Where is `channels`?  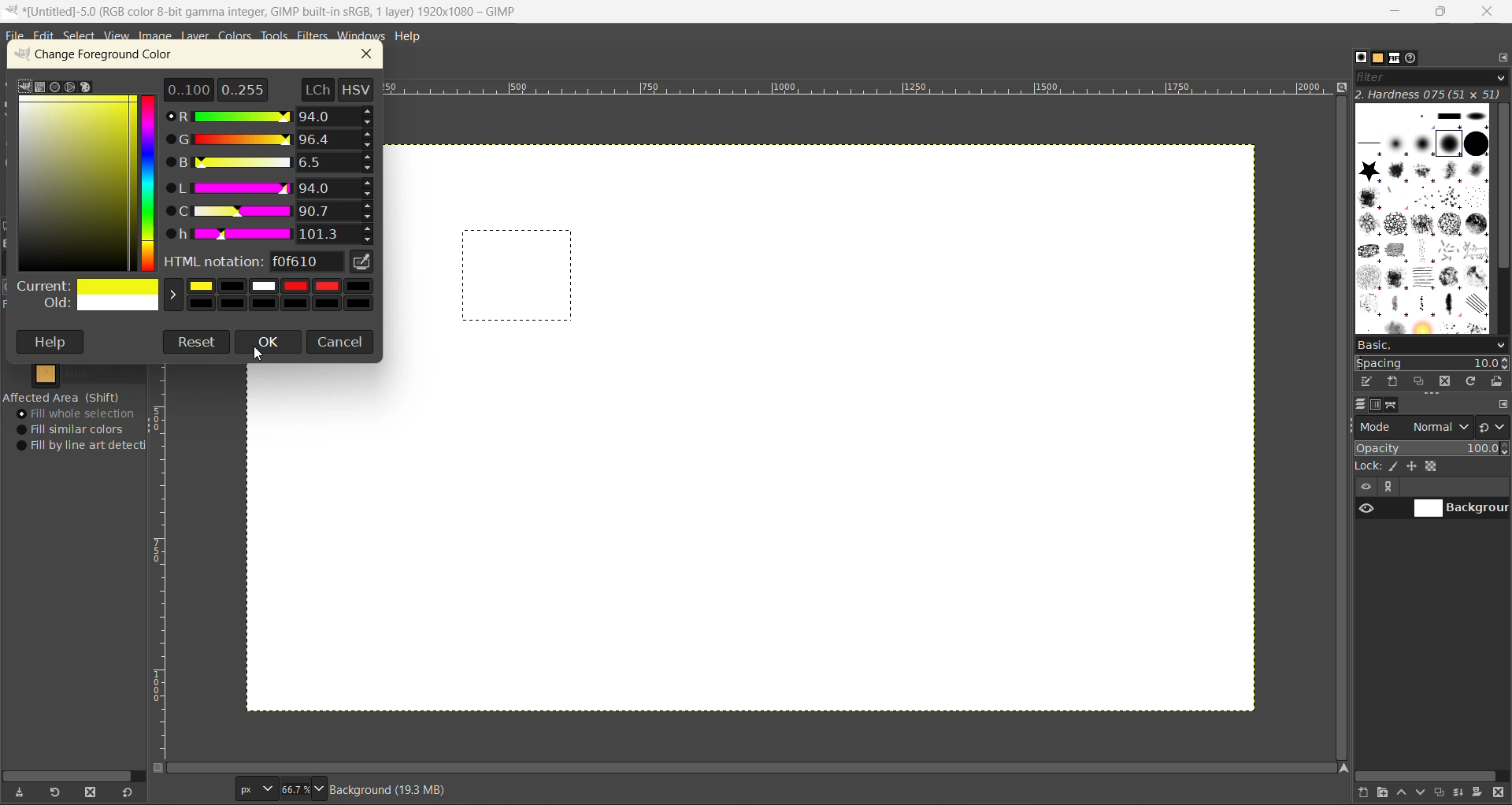
channels is located at coordinates (1378, 408).